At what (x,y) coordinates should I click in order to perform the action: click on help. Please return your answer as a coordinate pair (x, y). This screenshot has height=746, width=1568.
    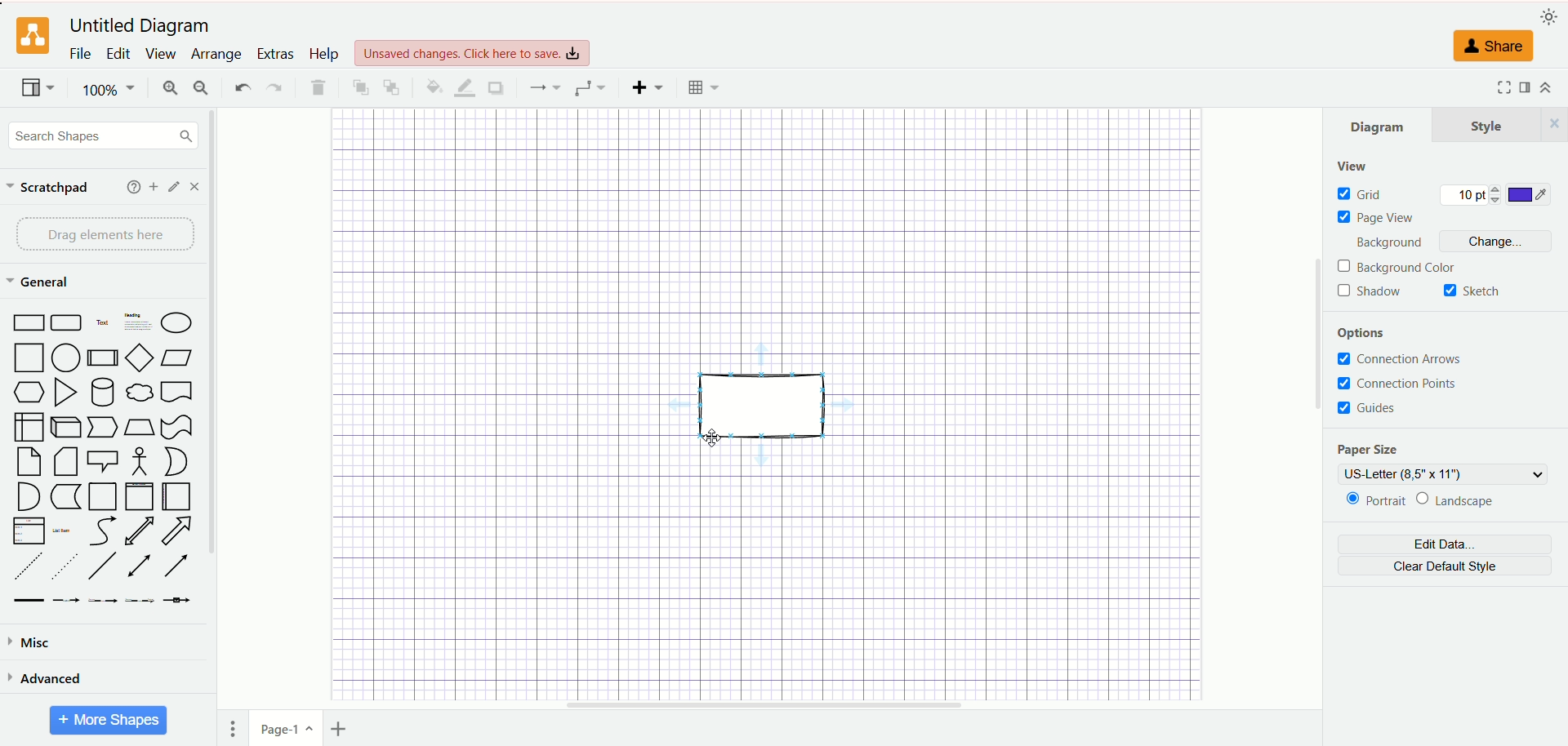
    Looking at the image, I should click on (129, 186).